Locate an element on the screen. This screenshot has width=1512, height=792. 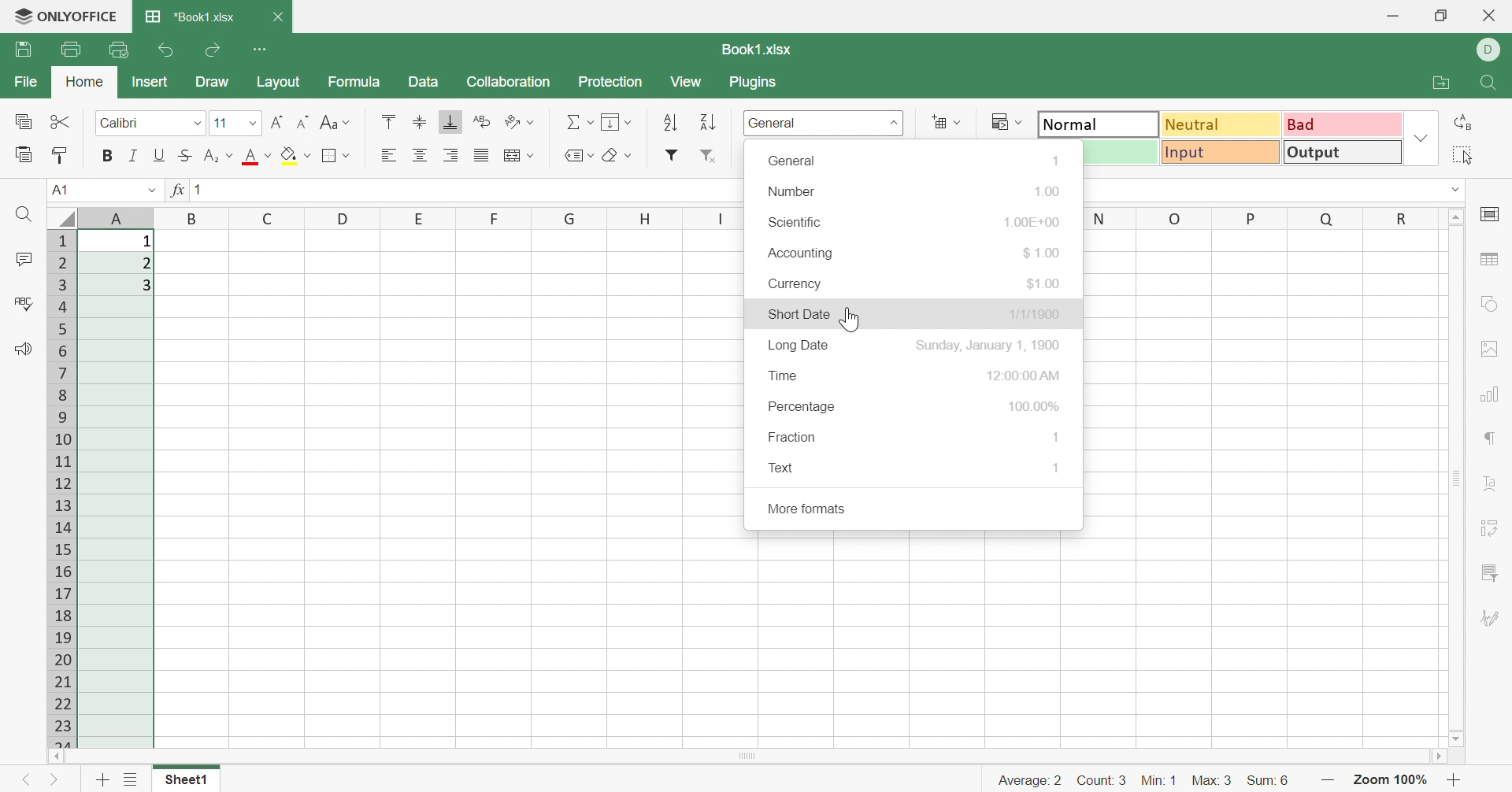
Clear is located at coordinates (615, 156).